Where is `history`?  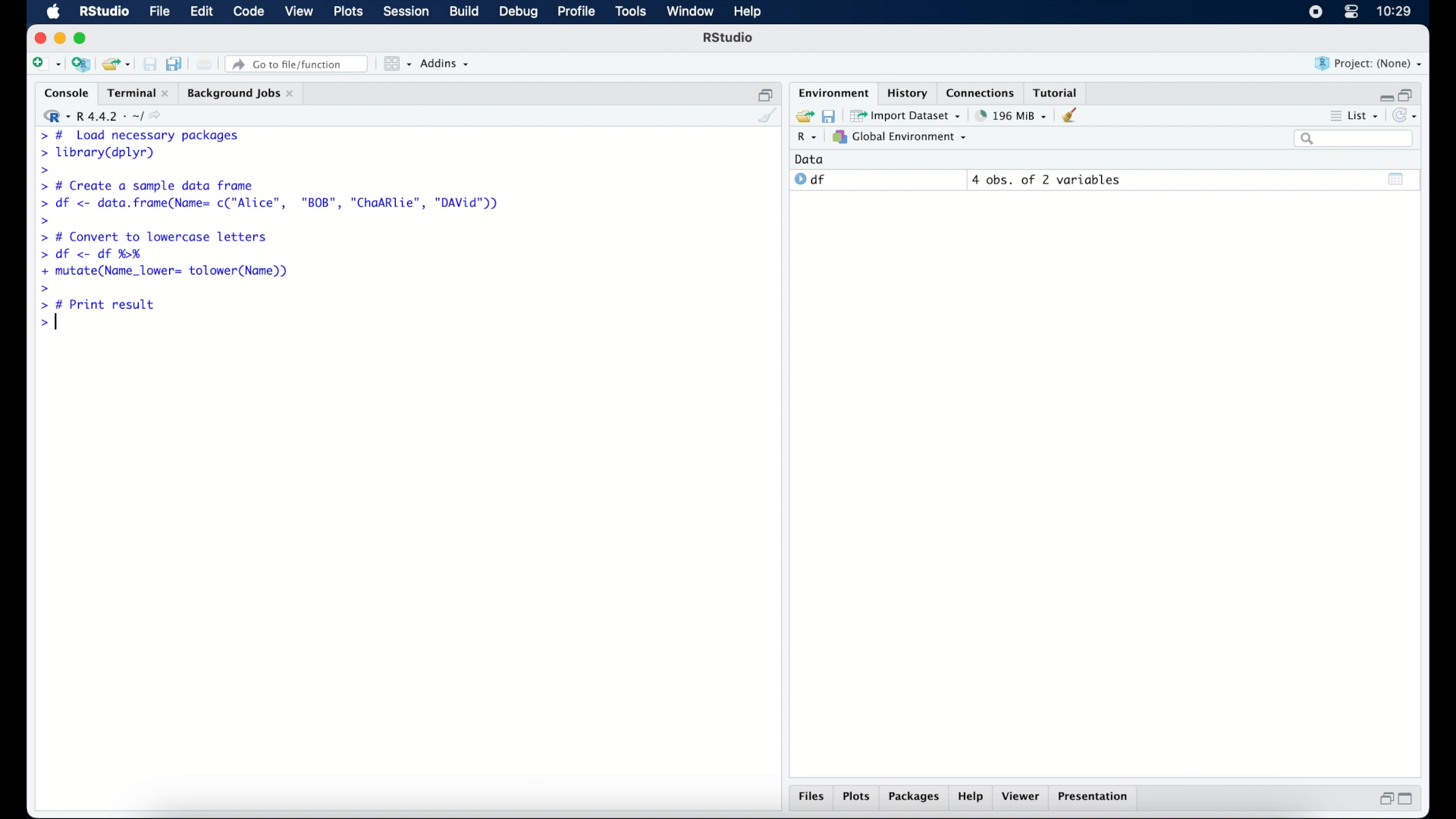
history is located at coordinates (906, 92).